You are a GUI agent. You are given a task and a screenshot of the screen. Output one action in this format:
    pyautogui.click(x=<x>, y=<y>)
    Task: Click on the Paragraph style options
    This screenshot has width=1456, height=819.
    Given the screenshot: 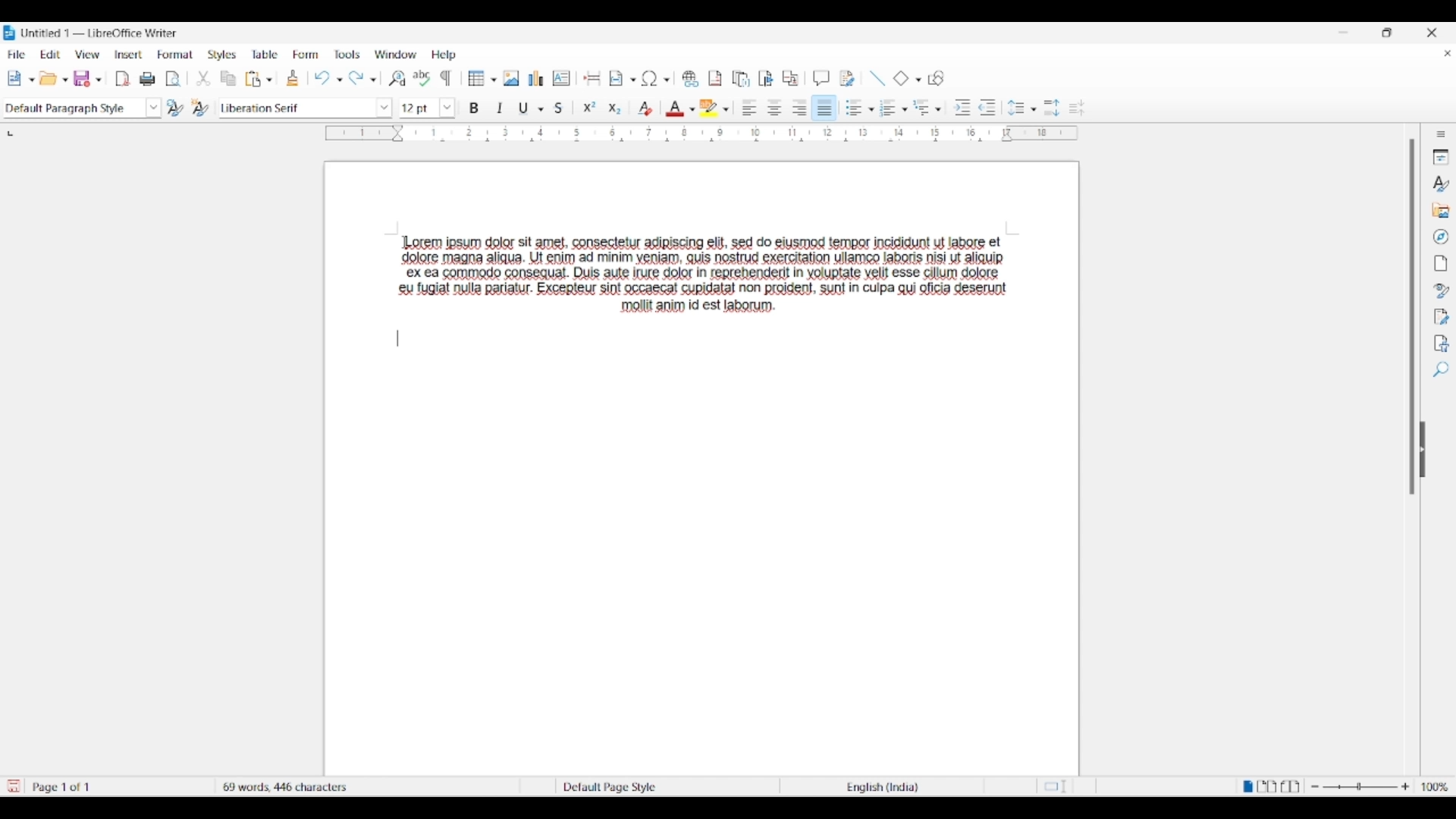 What is the action you would take?
    pyautogui.click(x=154, y=108)
    